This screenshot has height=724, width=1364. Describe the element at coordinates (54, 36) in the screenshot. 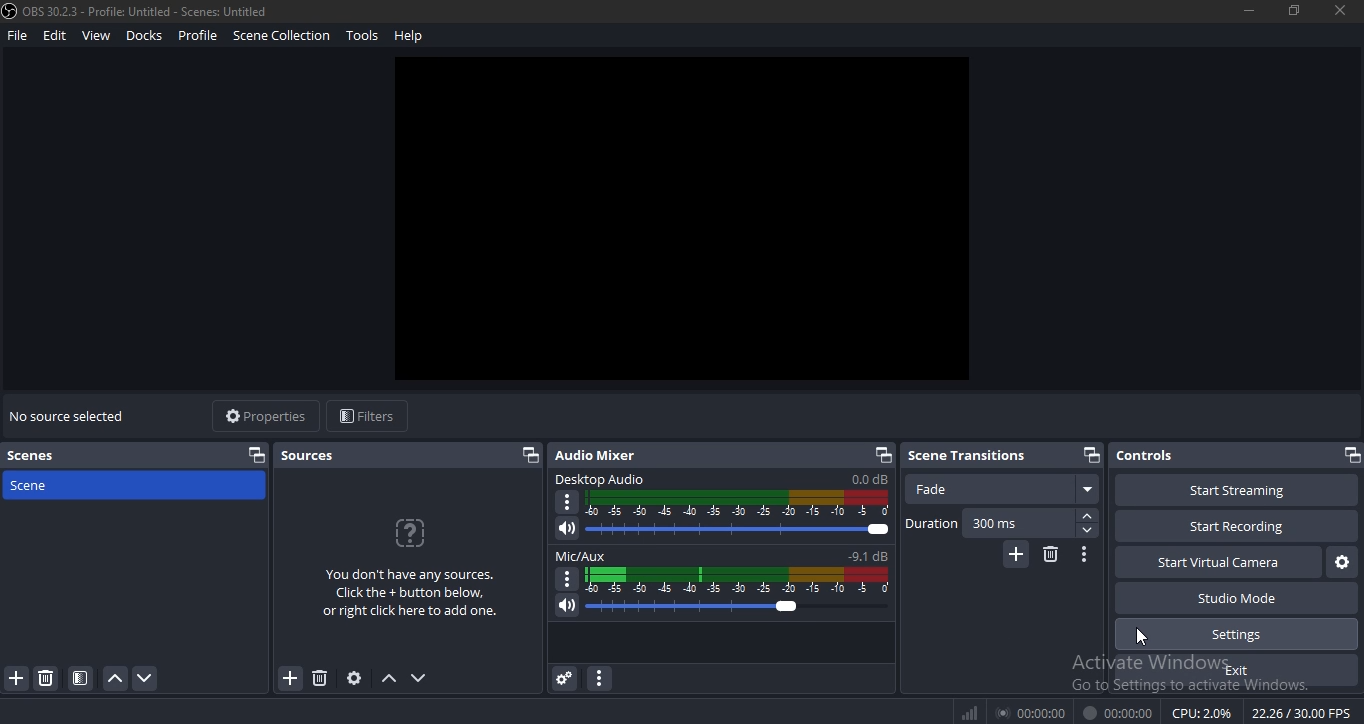

I see `edit` at that location.